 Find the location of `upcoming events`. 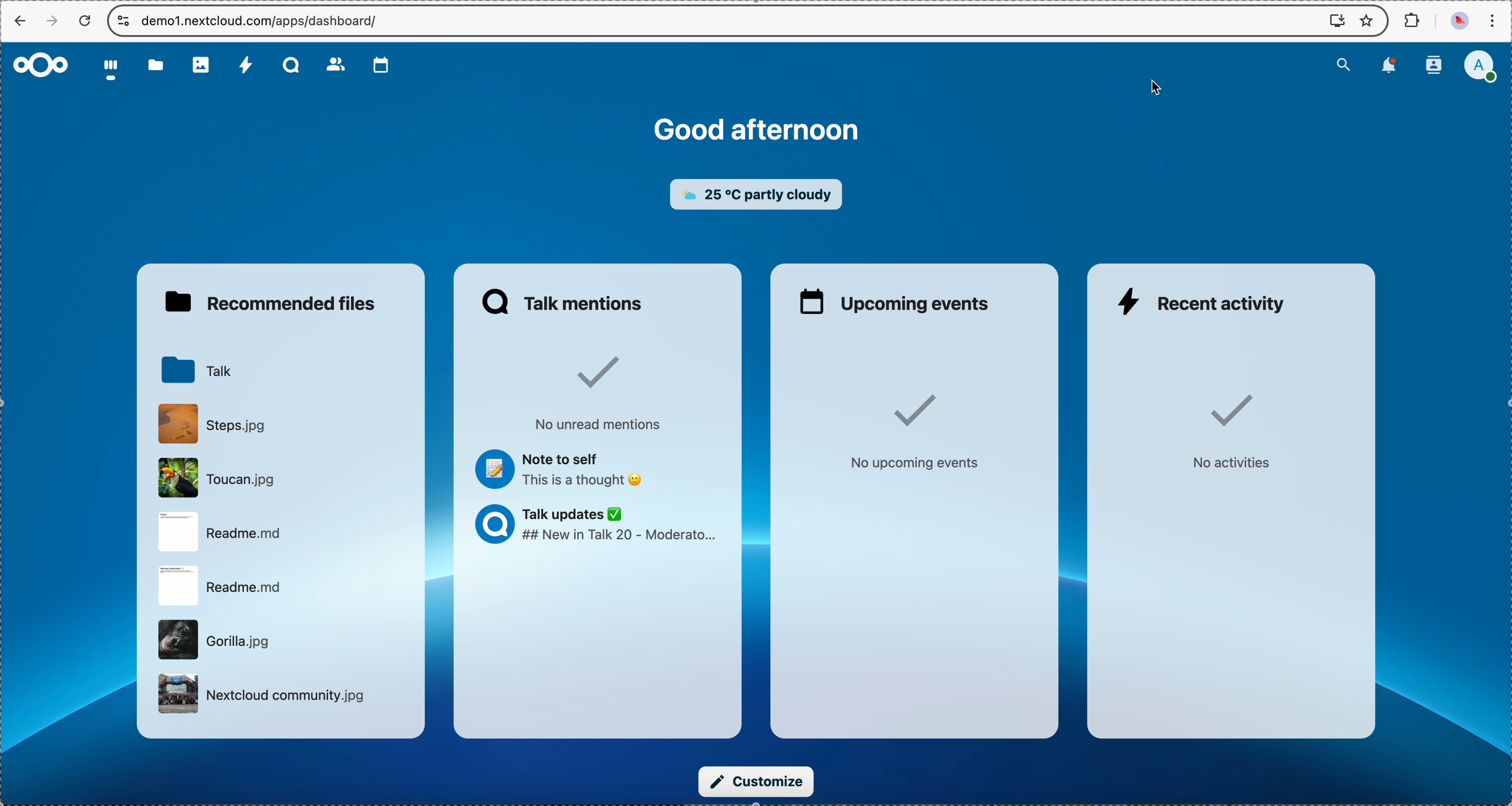

upcoming events is located at coordinates (906, 299).